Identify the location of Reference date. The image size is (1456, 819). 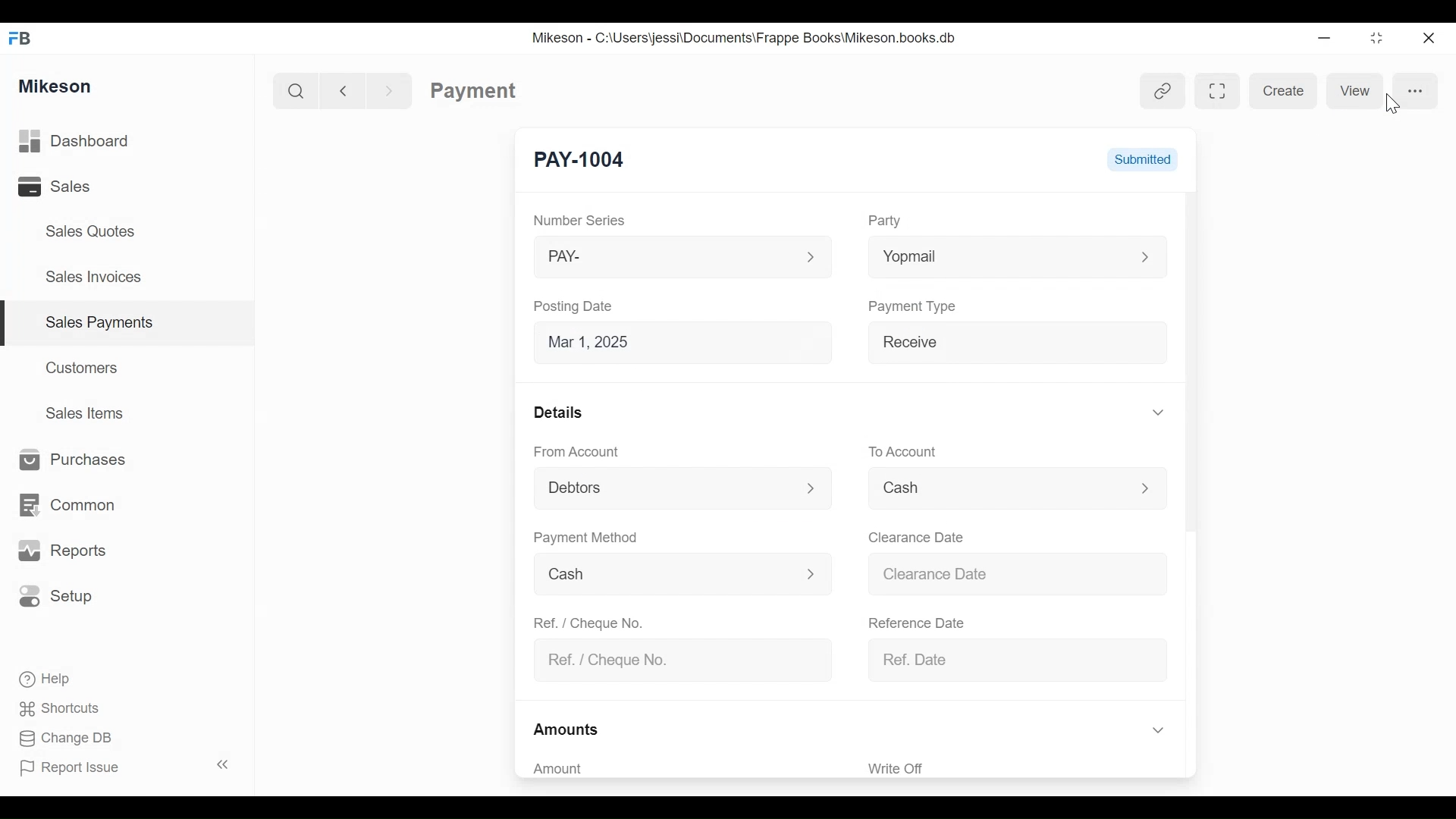
(925, 622).